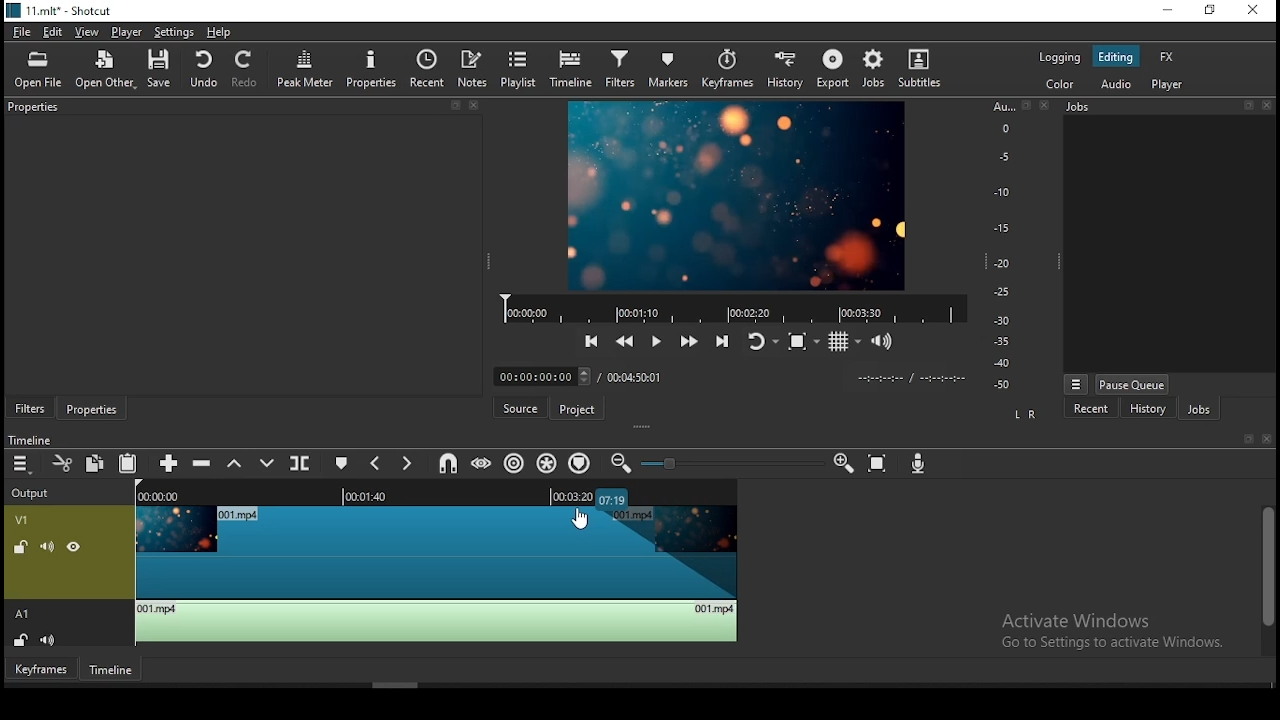 The image size is (1280, 720). Describe the element at coordinates (371, 68) in the screenshot. I see `properties` at that location.